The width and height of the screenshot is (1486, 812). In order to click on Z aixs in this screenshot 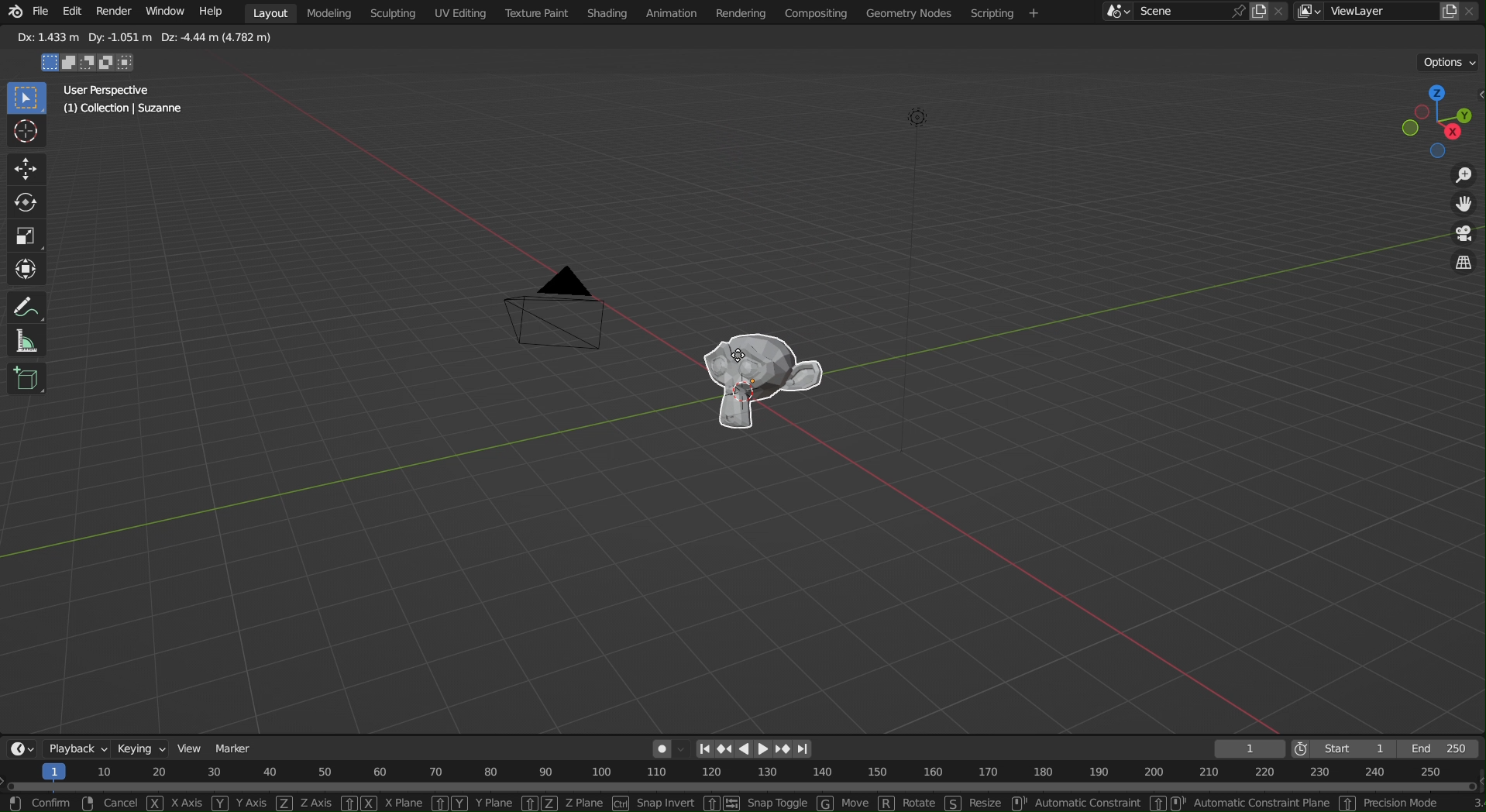, I will do `click(317, 803)`.